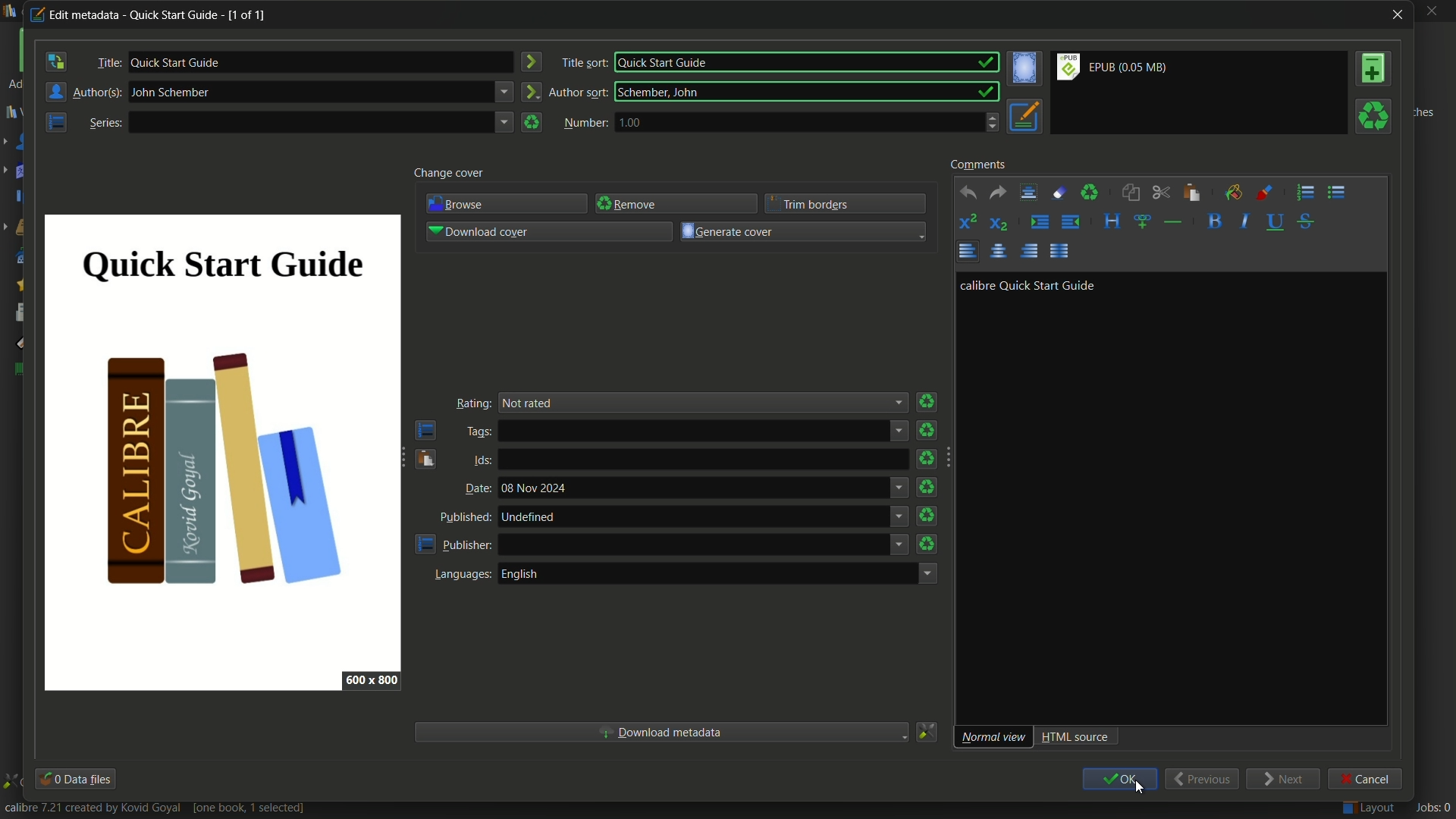 The image size is (1456, 819). Describe the element at coordinates (1432, 807) in the screenshot. I see `Jobs: 0` at that location.